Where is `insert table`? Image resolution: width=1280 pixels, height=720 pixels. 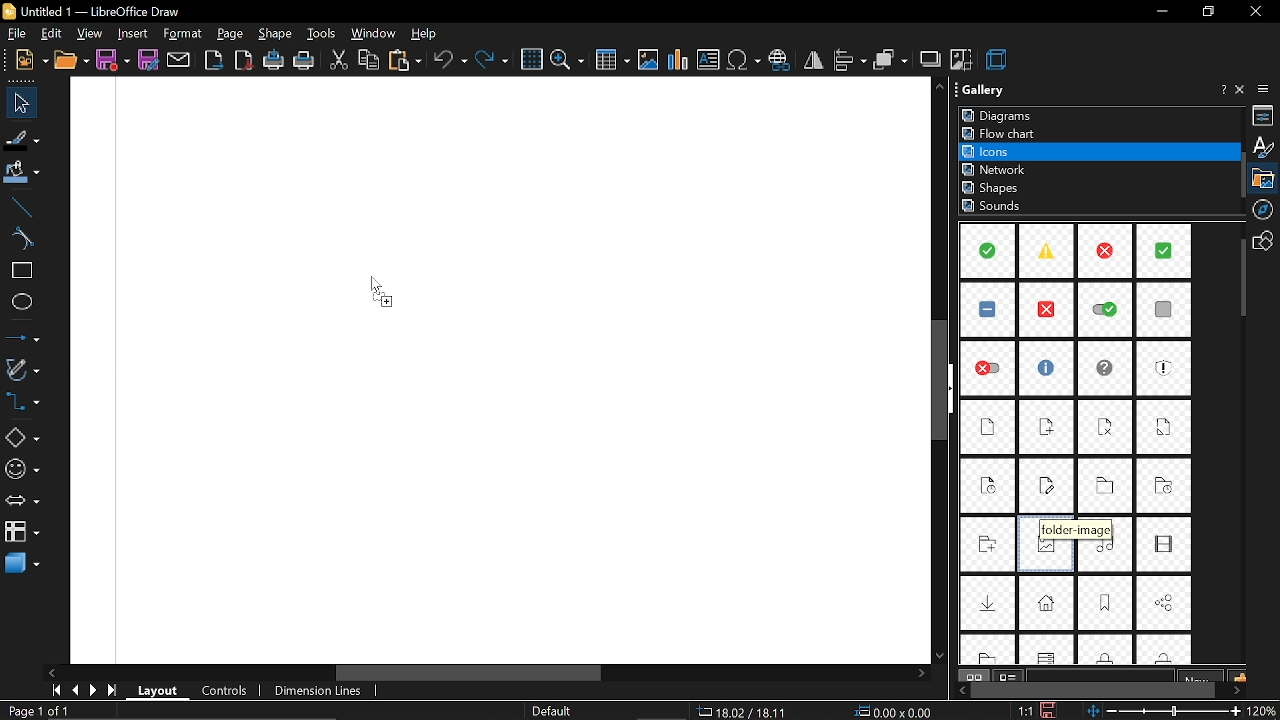 insert table is located at coordinates (611, 61).